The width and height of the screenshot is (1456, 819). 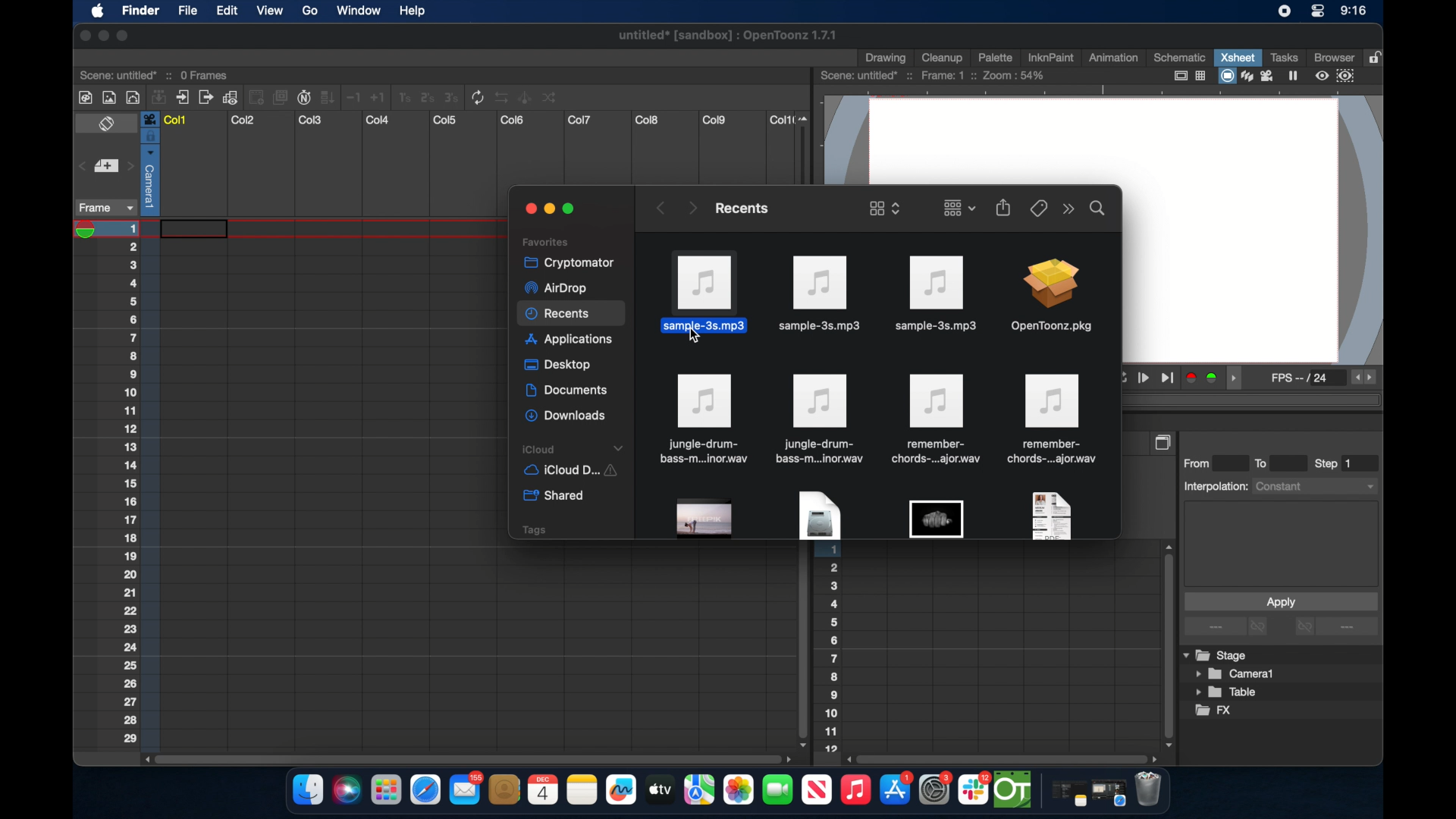 What do you see at coordinates (1283, 57) in the screenshot?
I see `tasks` at bounding box center [1283, 57].